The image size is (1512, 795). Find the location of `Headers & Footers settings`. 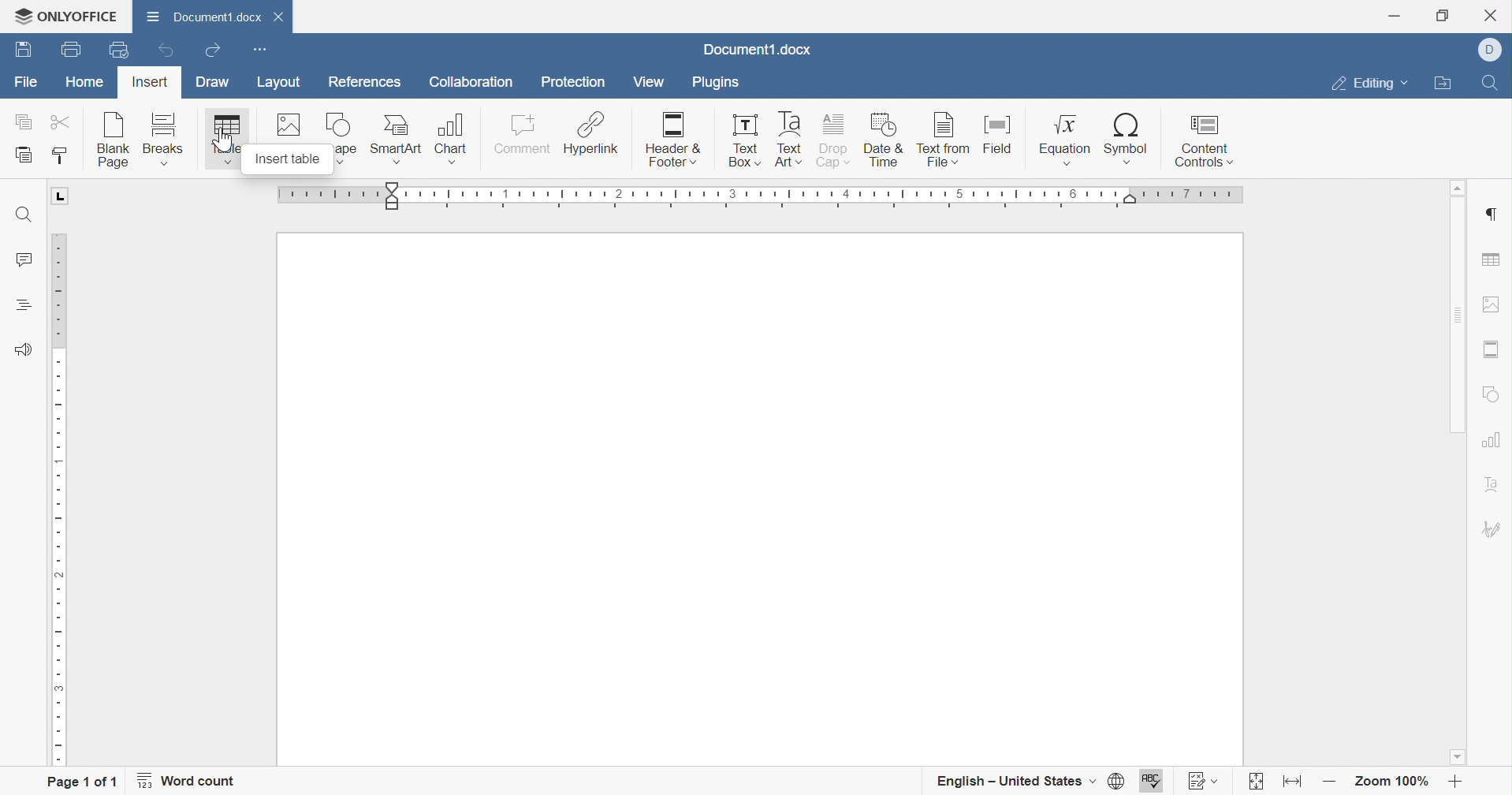

Headers & Footers settings is located at coordinates (1491, 352).